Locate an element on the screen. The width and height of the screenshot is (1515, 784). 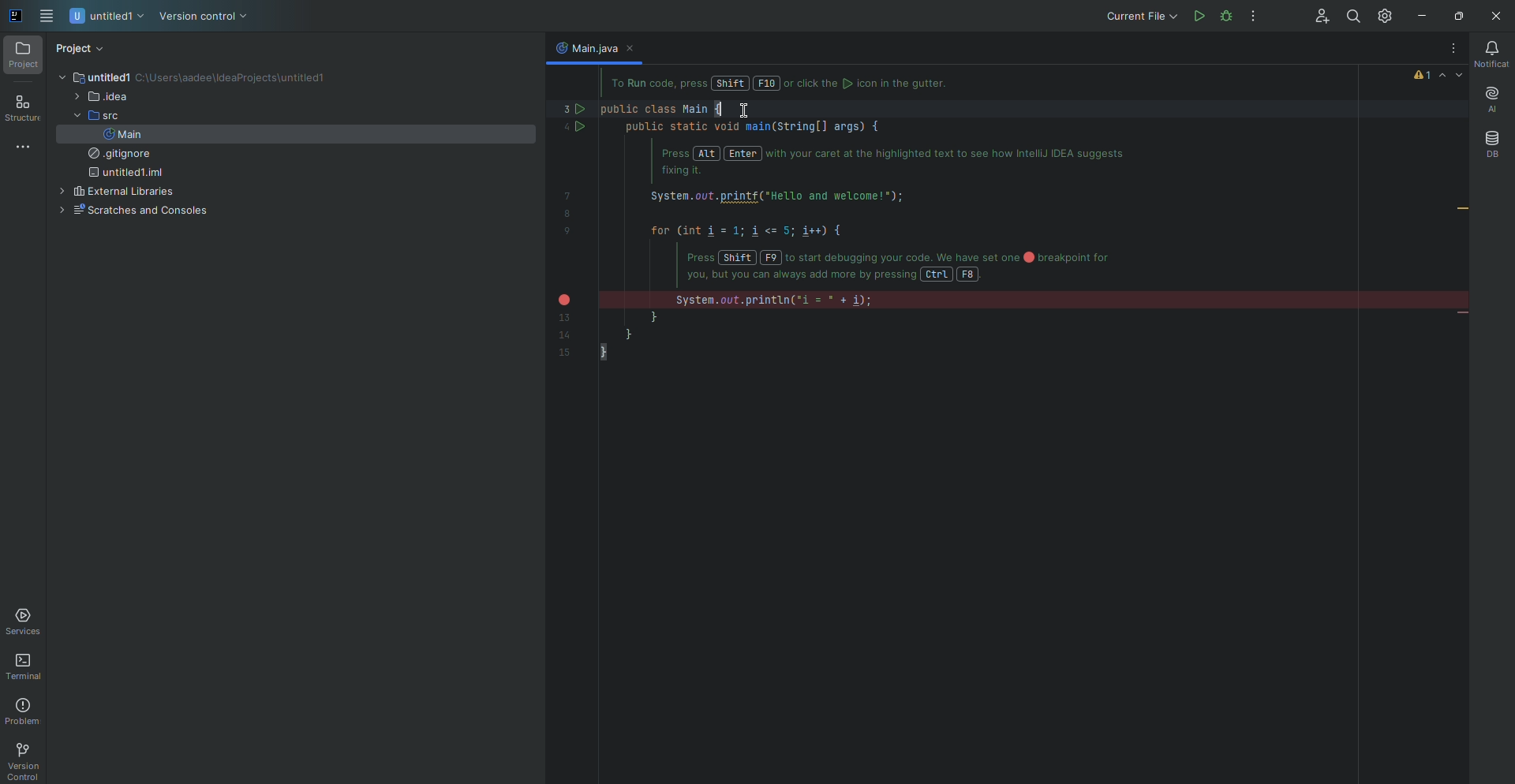
line number and icons is located at coordinates (571, 227).